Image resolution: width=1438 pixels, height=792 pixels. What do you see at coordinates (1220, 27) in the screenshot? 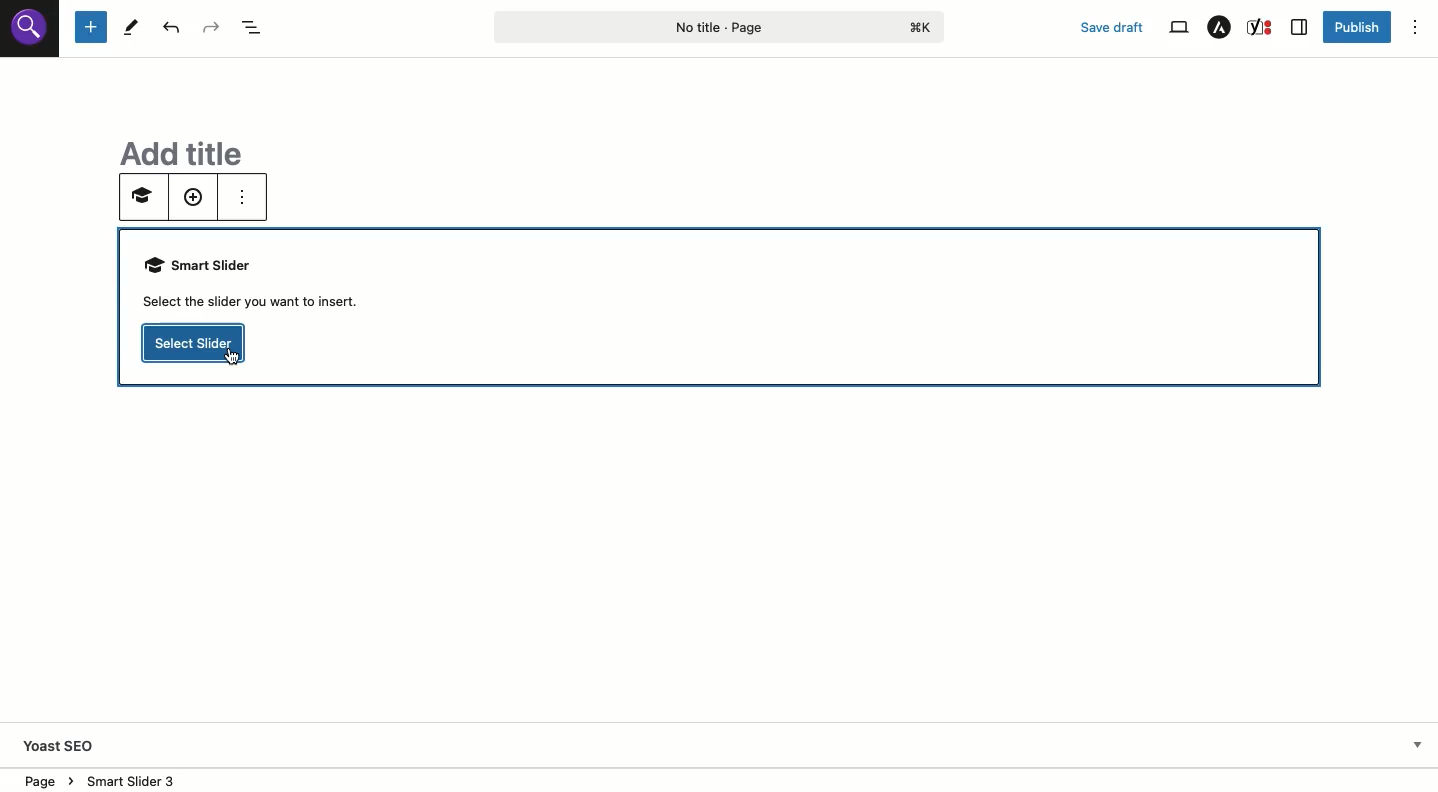
I see `Astra` at bounding box center [1220, 27].